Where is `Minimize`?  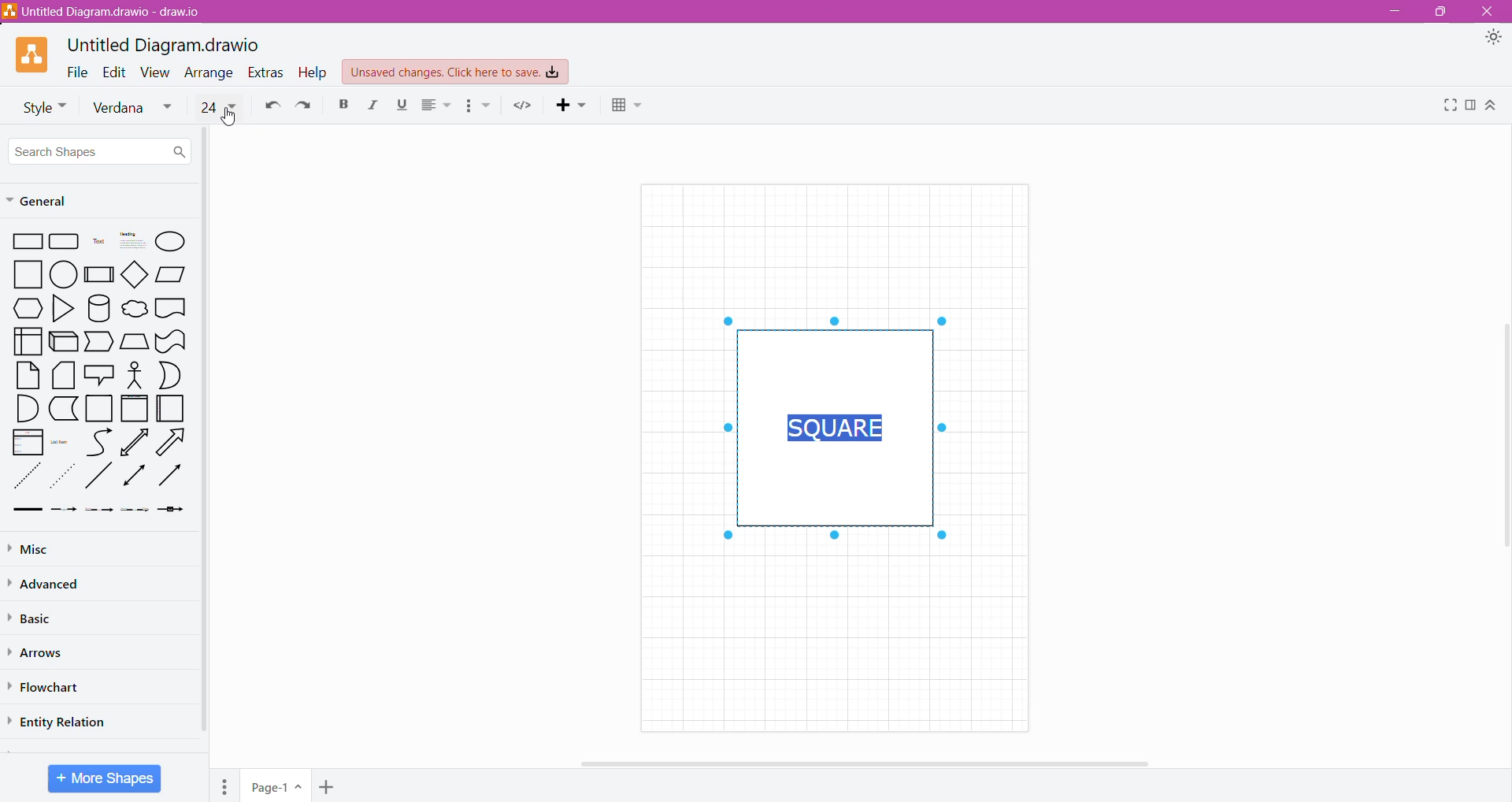
Minimize is located at coordinates (1399, 13).